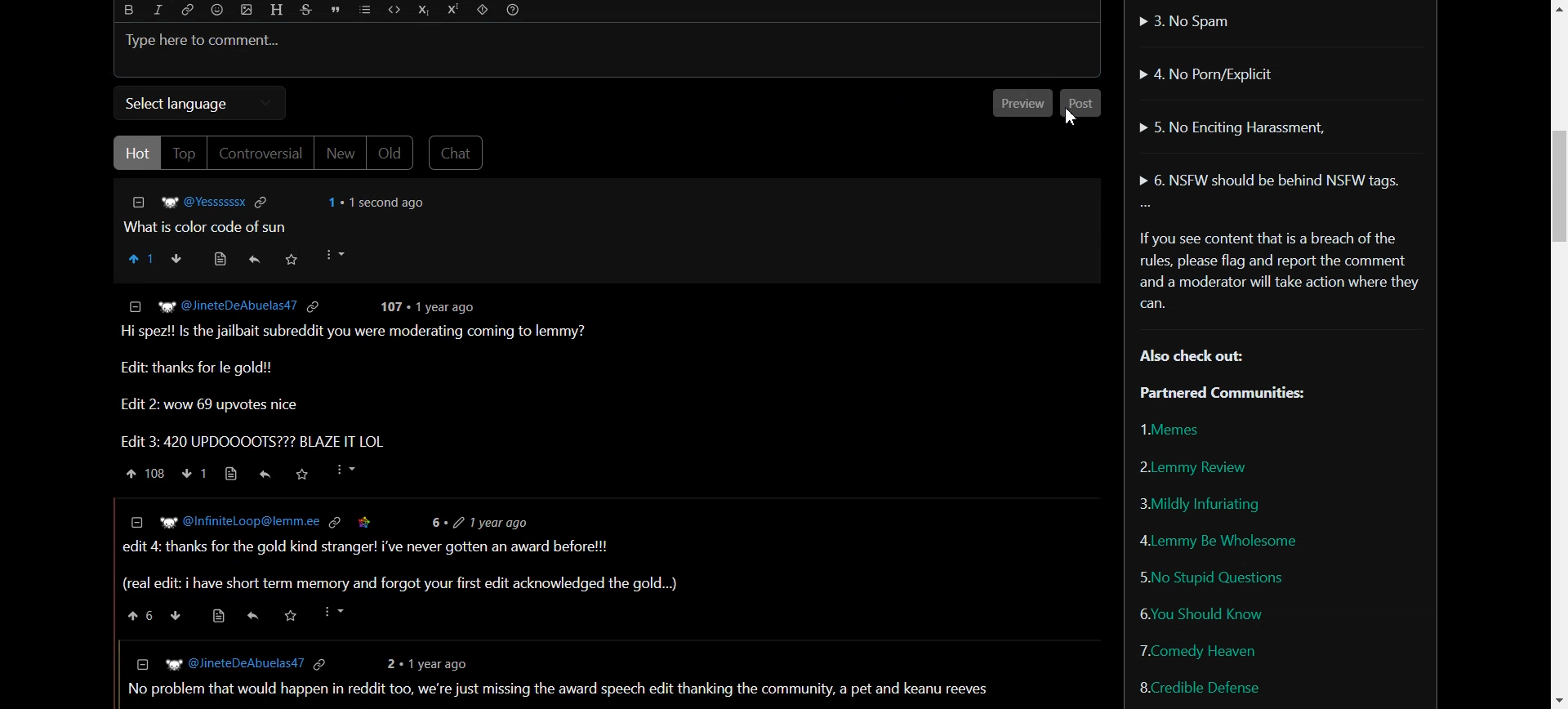 The image size is (1568, 709). I want to click on , so click(257, 618).